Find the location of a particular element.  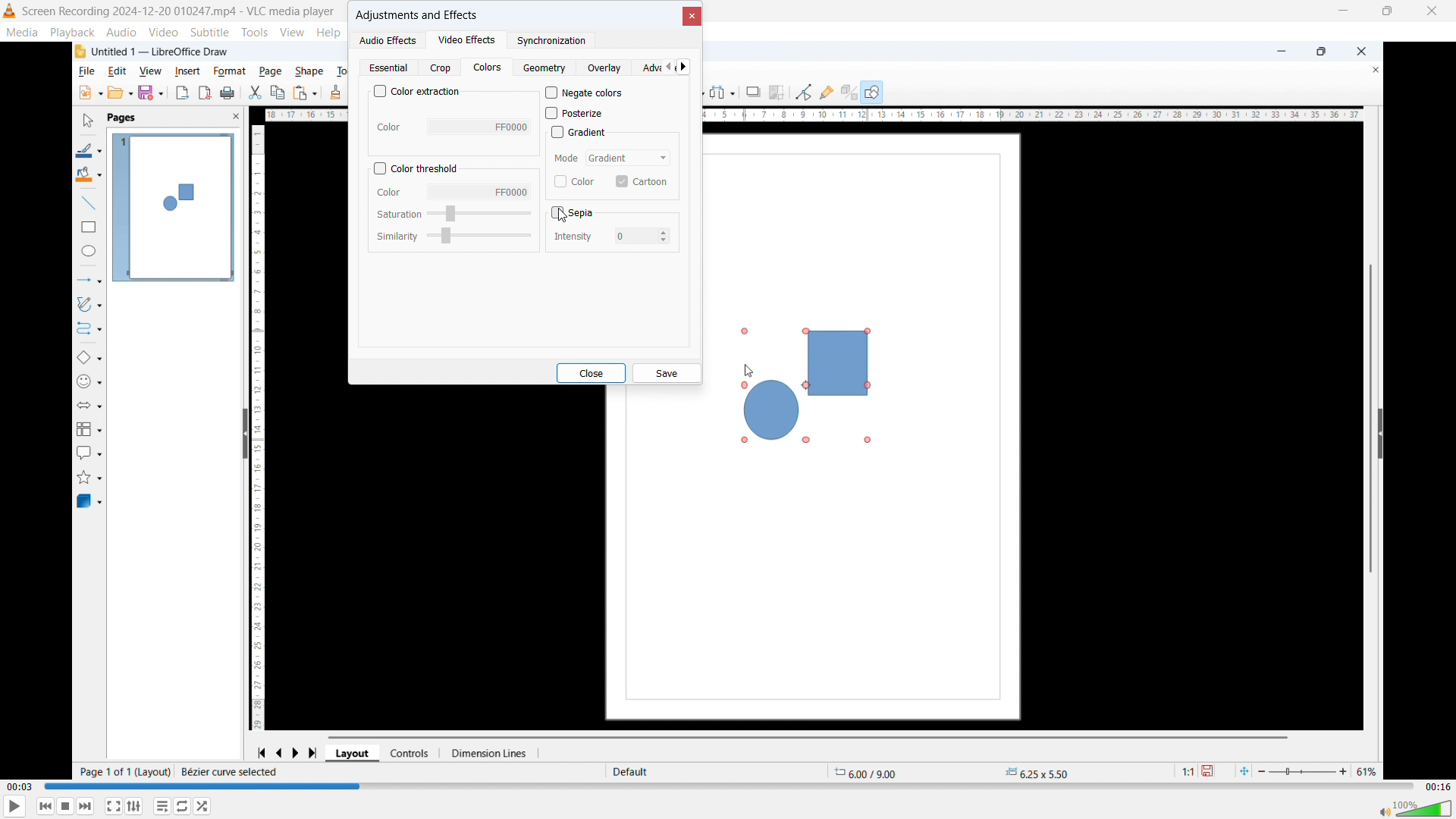

Screen Recording 2024-12-20 010247.mp4 - VLC media player is located at coordinates (171, 12).